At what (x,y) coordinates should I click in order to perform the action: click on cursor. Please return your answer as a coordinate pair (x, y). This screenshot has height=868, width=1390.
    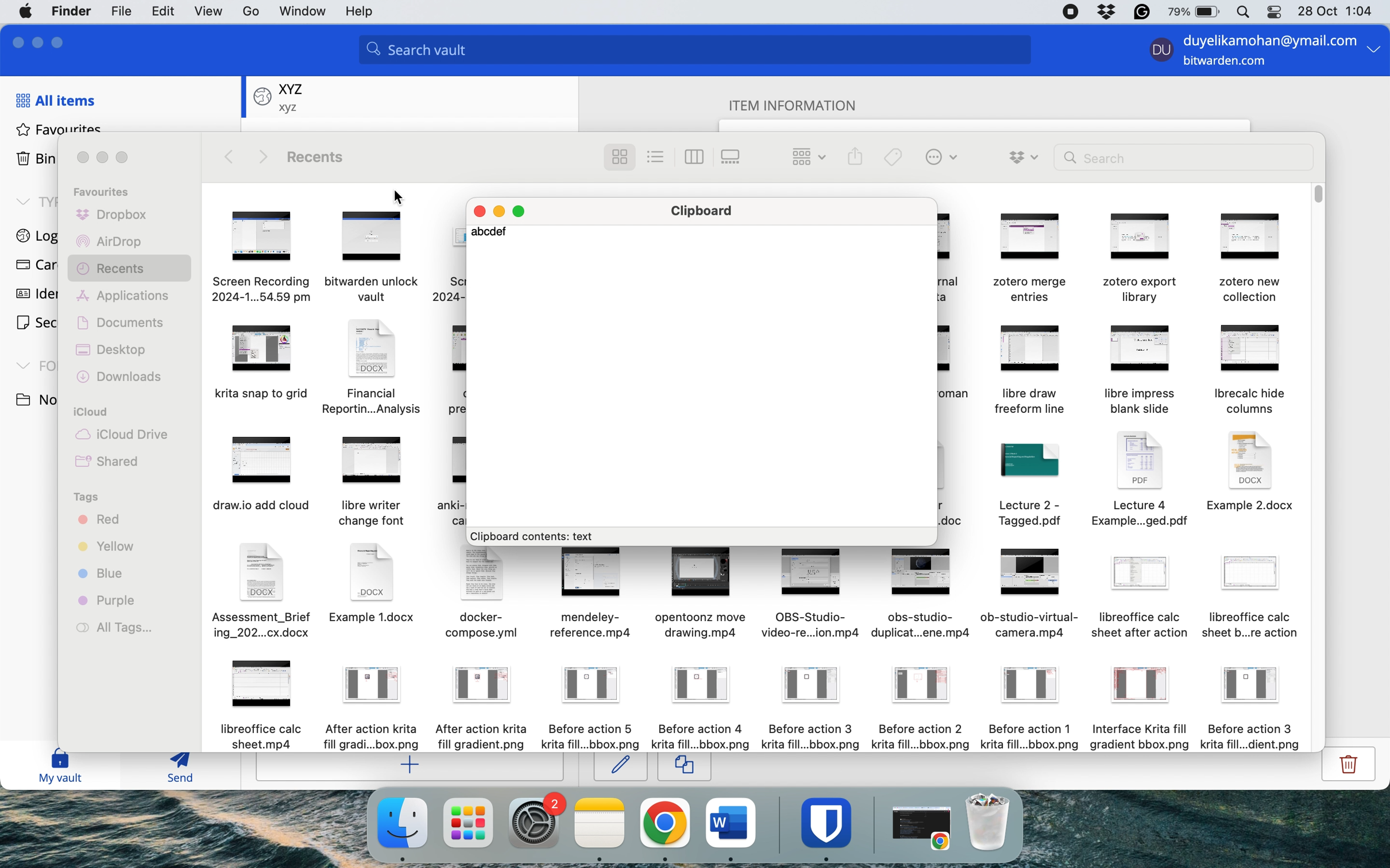
    Looking at the image, I should click on (403, 198).